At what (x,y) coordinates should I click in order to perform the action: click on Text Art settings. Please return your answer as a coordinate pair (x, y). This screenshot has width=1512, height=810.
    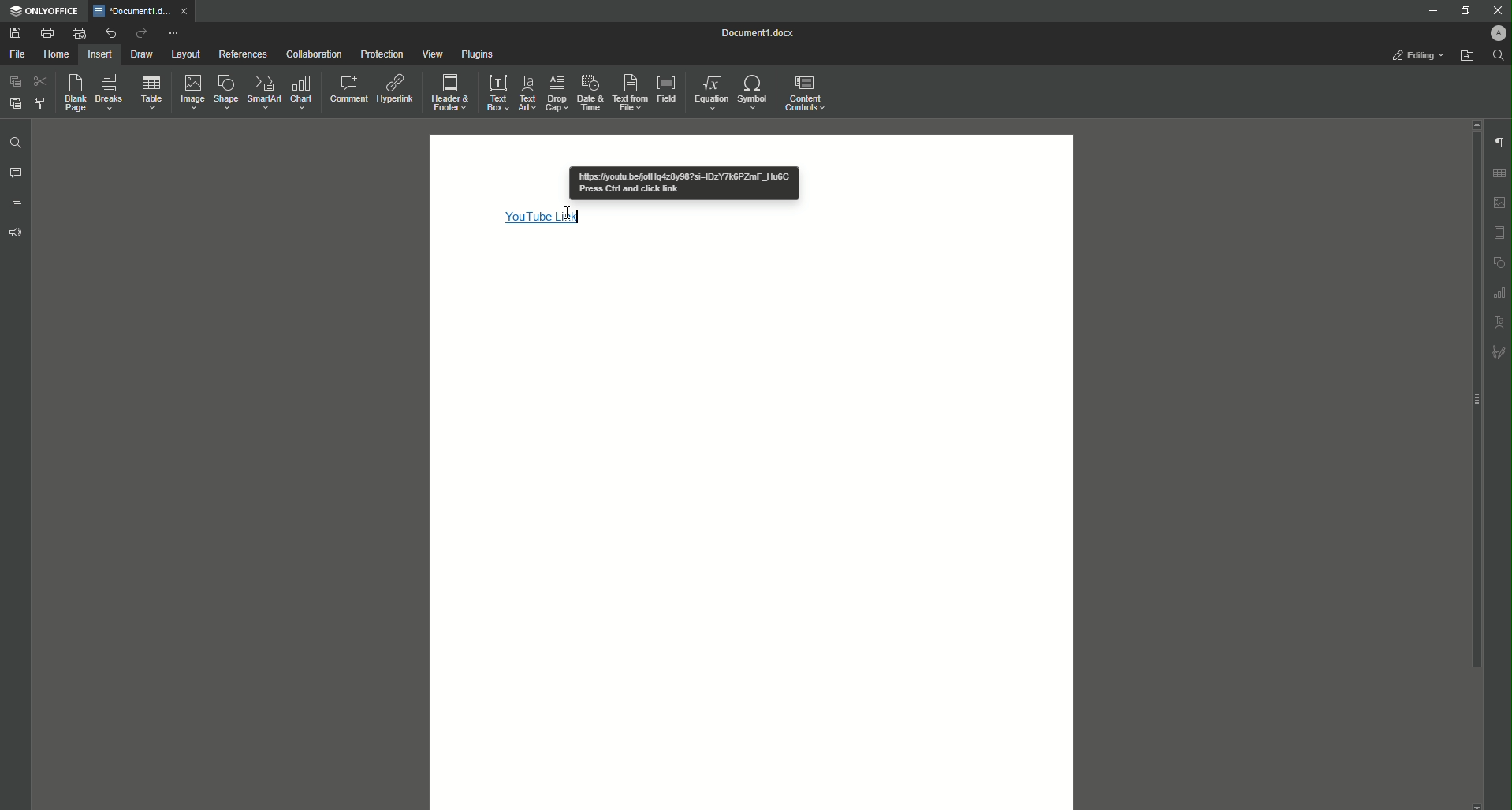
    Looking at the image, I should click on (1500, 322).